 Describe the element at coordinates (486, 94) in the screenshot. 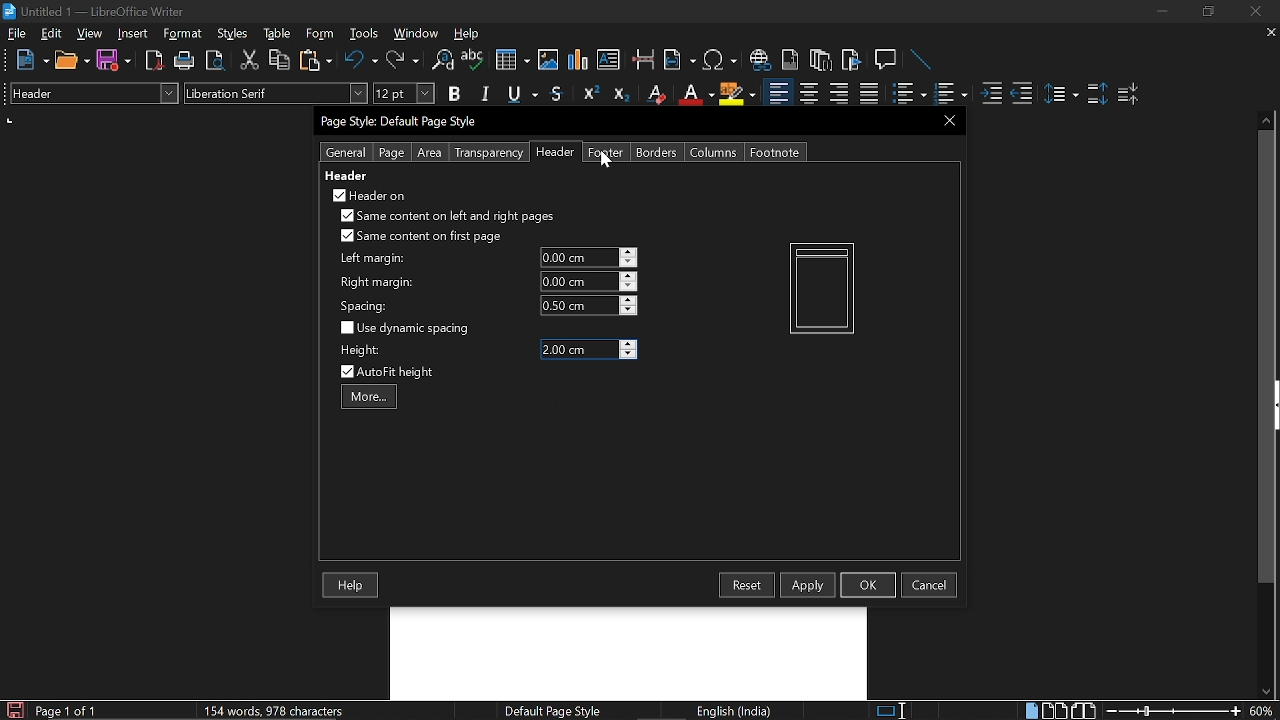

I see `Italic` at that location.